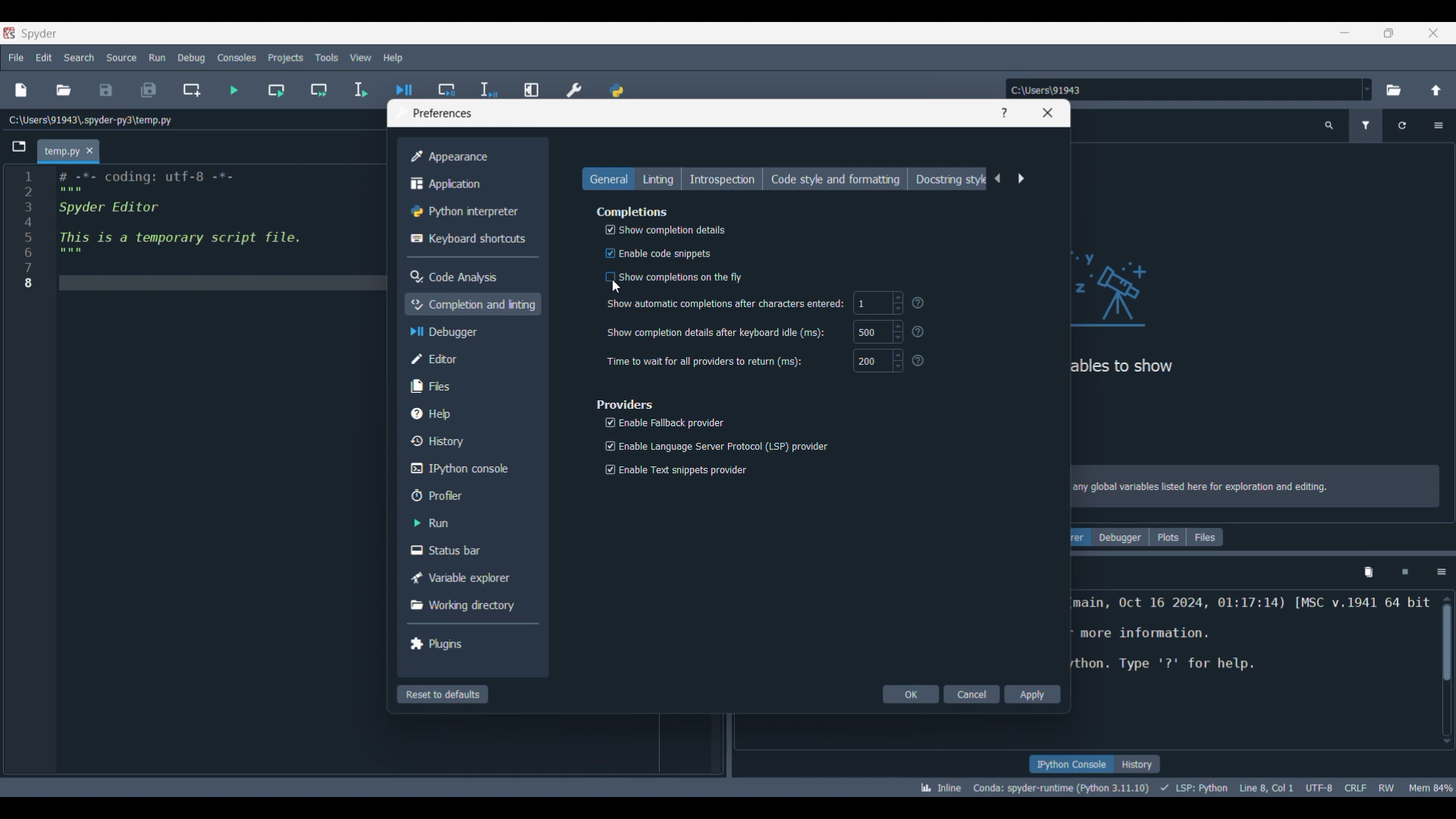 The width and height of the screenshot is (1456, 819). I want to click on Debug menu, so click(192, 58).